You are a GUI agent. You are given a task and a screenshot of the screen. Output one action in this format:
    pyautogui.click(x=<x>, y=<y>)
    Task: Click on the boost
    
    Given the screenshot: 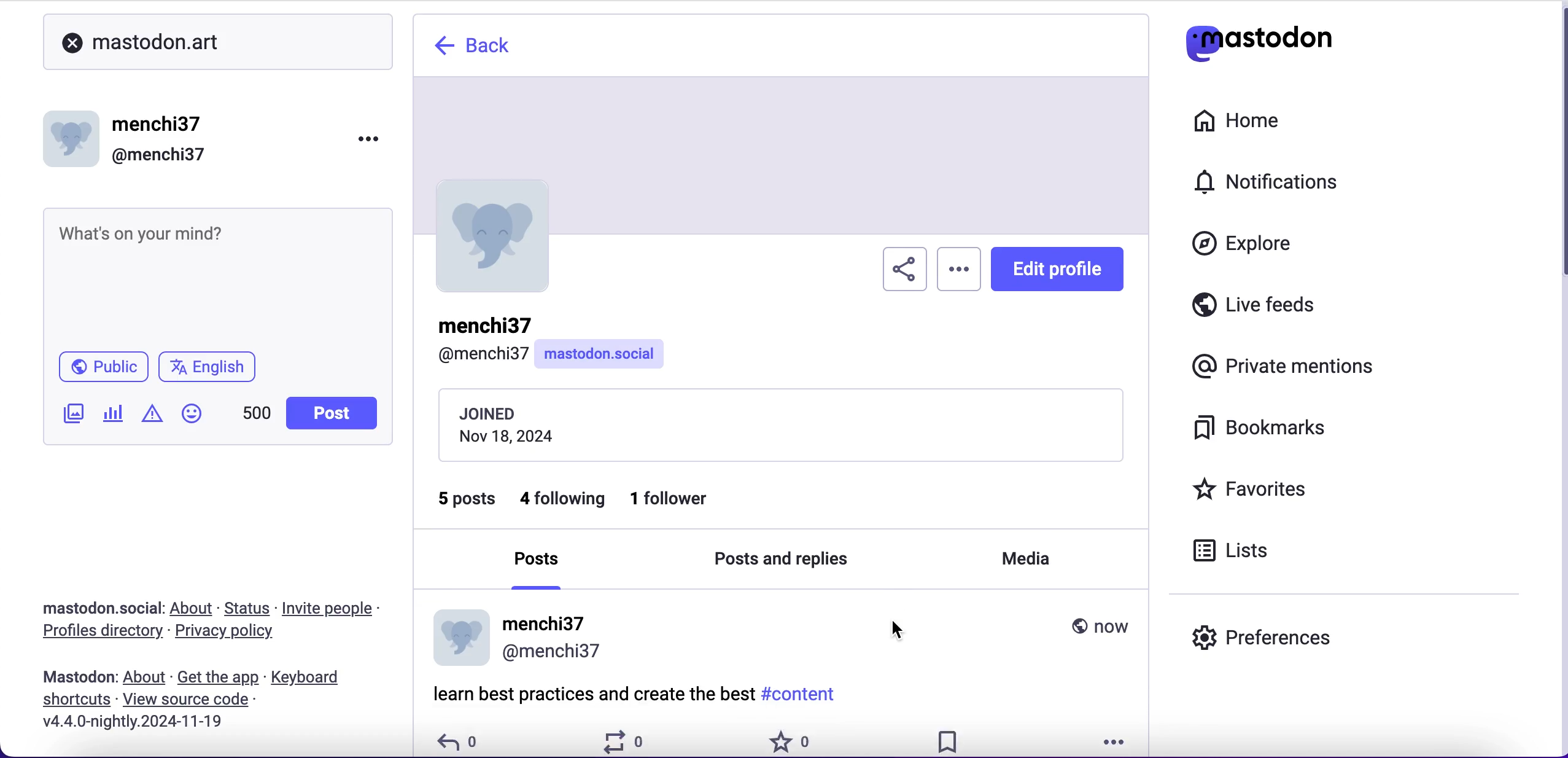 What is the action you would take?
    pyautogui.click(x=627, y=740)
    